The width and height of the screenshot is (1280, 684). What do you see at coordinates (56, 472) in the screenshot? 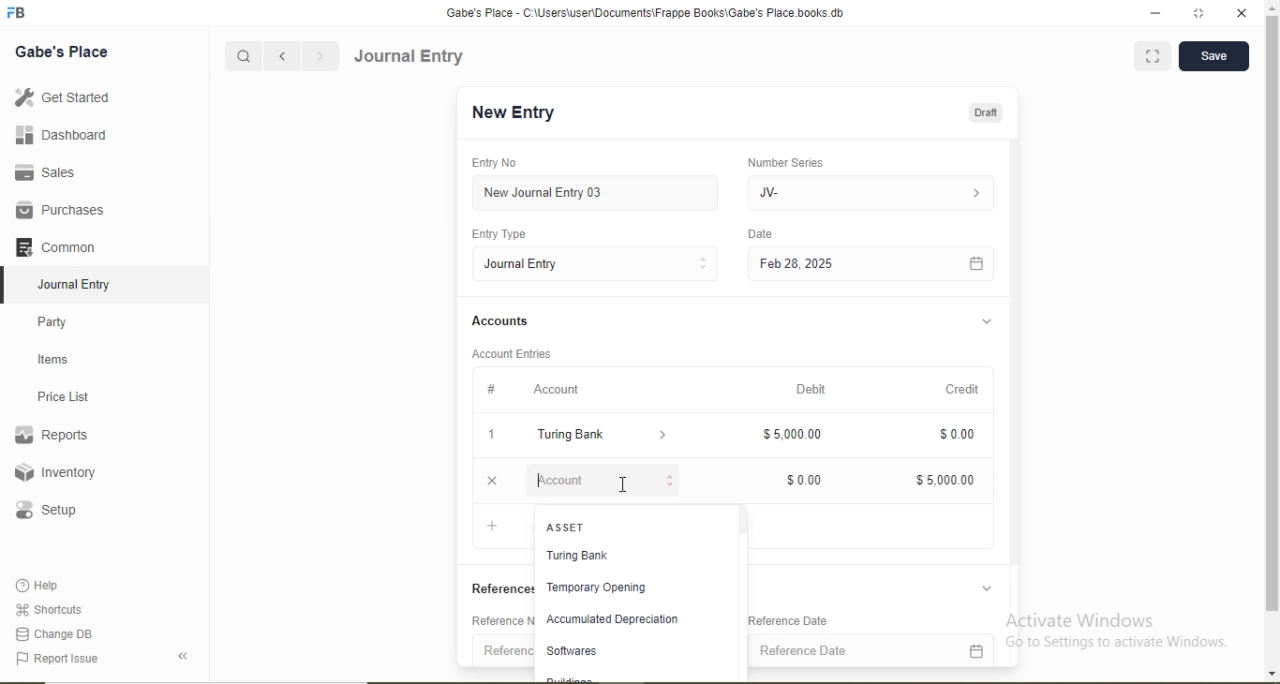
I see `Inventory` at bounding box center [56, 472].